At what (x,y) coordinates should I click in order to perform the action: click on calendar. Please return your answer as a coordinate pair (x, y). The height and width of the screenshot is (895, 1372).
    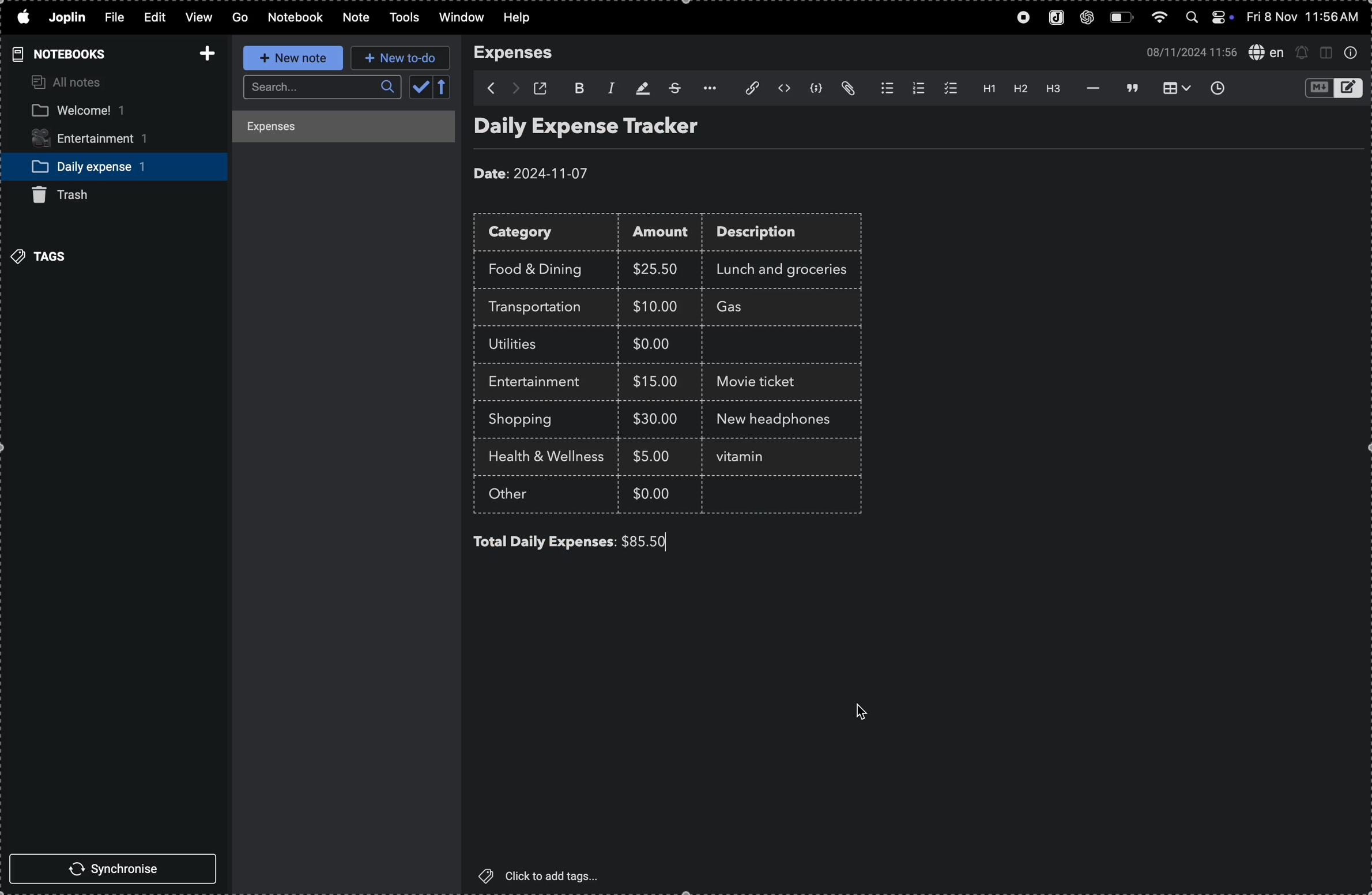
    Looking at the image, I should click on (431, 88).